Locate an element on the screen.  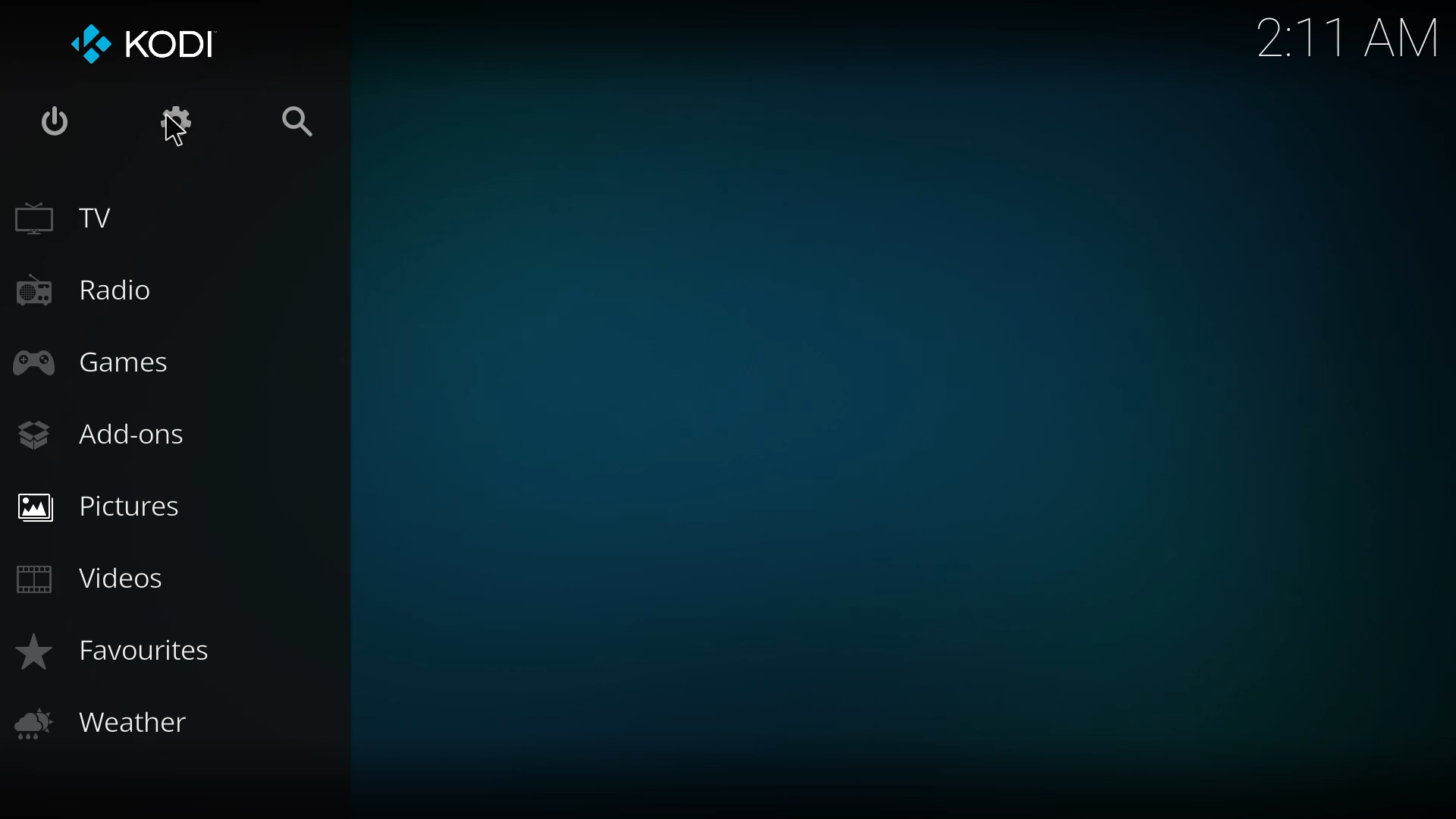
kodi is located at coordinates (148, 41).